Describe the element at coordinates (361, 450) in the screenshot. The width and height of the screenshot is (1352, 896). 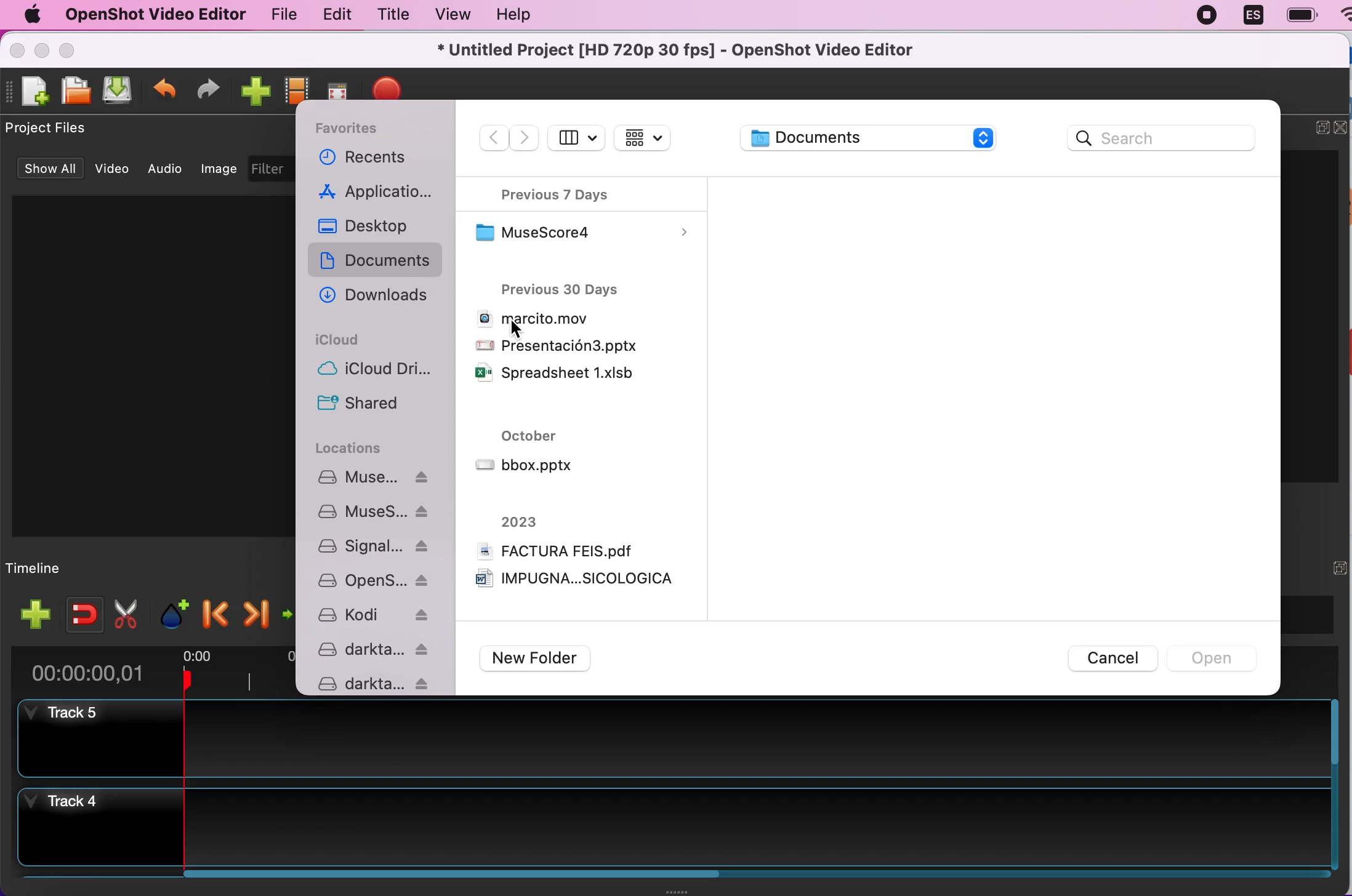
I see `locations` at that location.